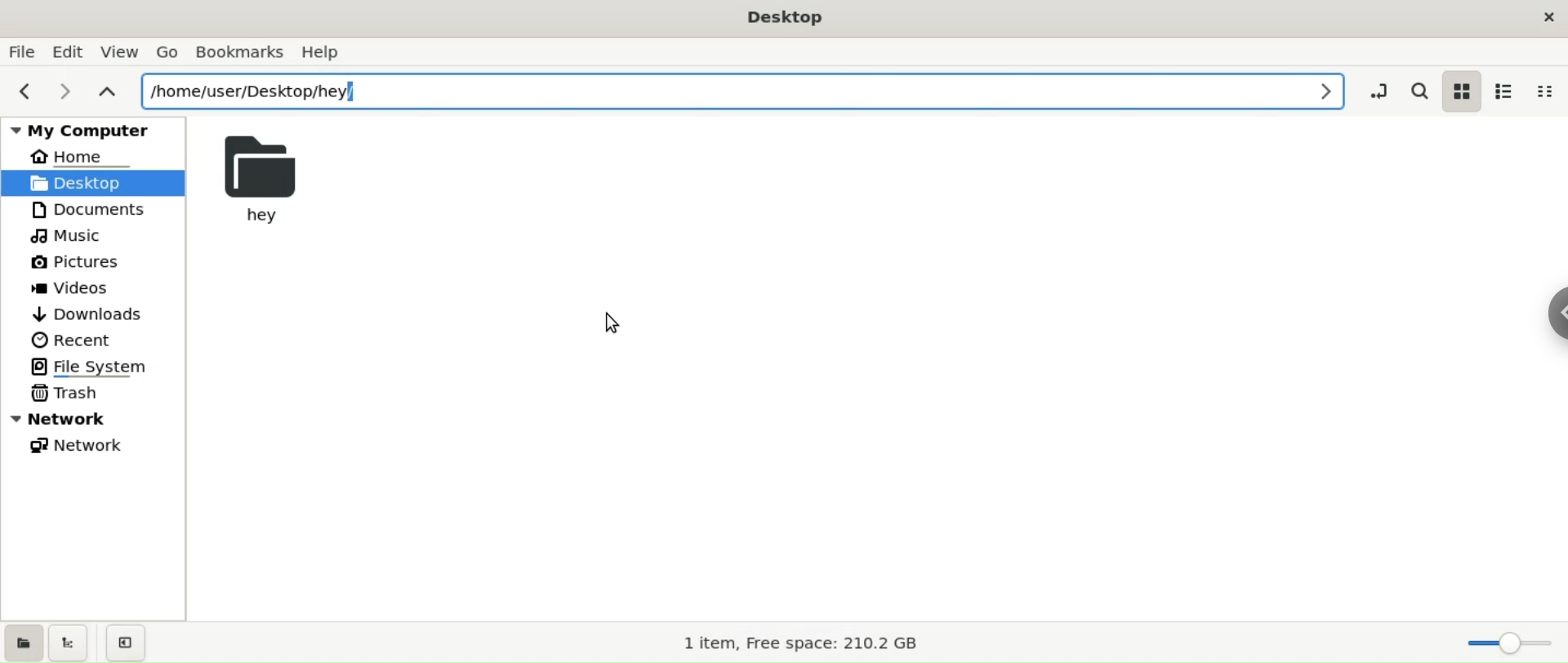 The width and height of the screenshot is (1568, 663). What do you see at coordinates (86, 157) in the screenshot?
I see `HOME ` at bounding box center [86, 157].